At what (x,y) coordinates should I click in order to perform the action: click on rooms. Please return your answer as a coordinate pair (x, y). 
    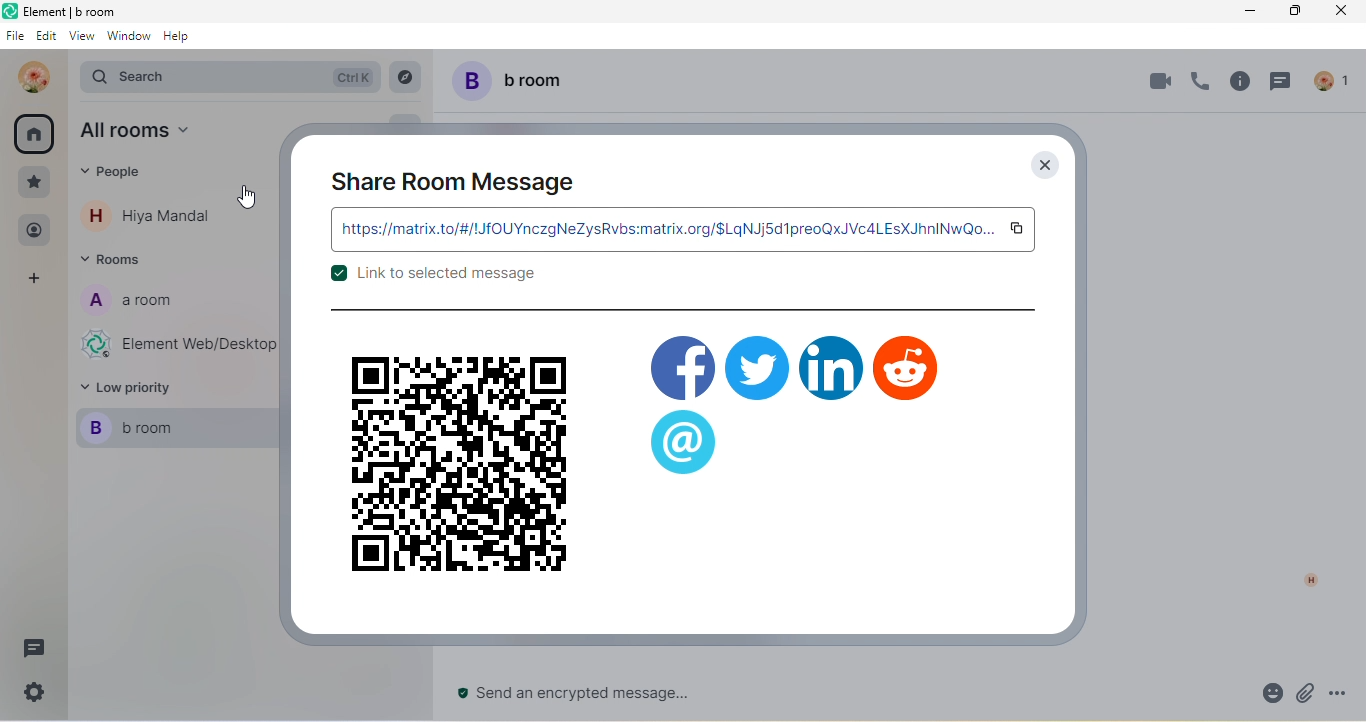
    Looking at the image, I should click on (119, 262).